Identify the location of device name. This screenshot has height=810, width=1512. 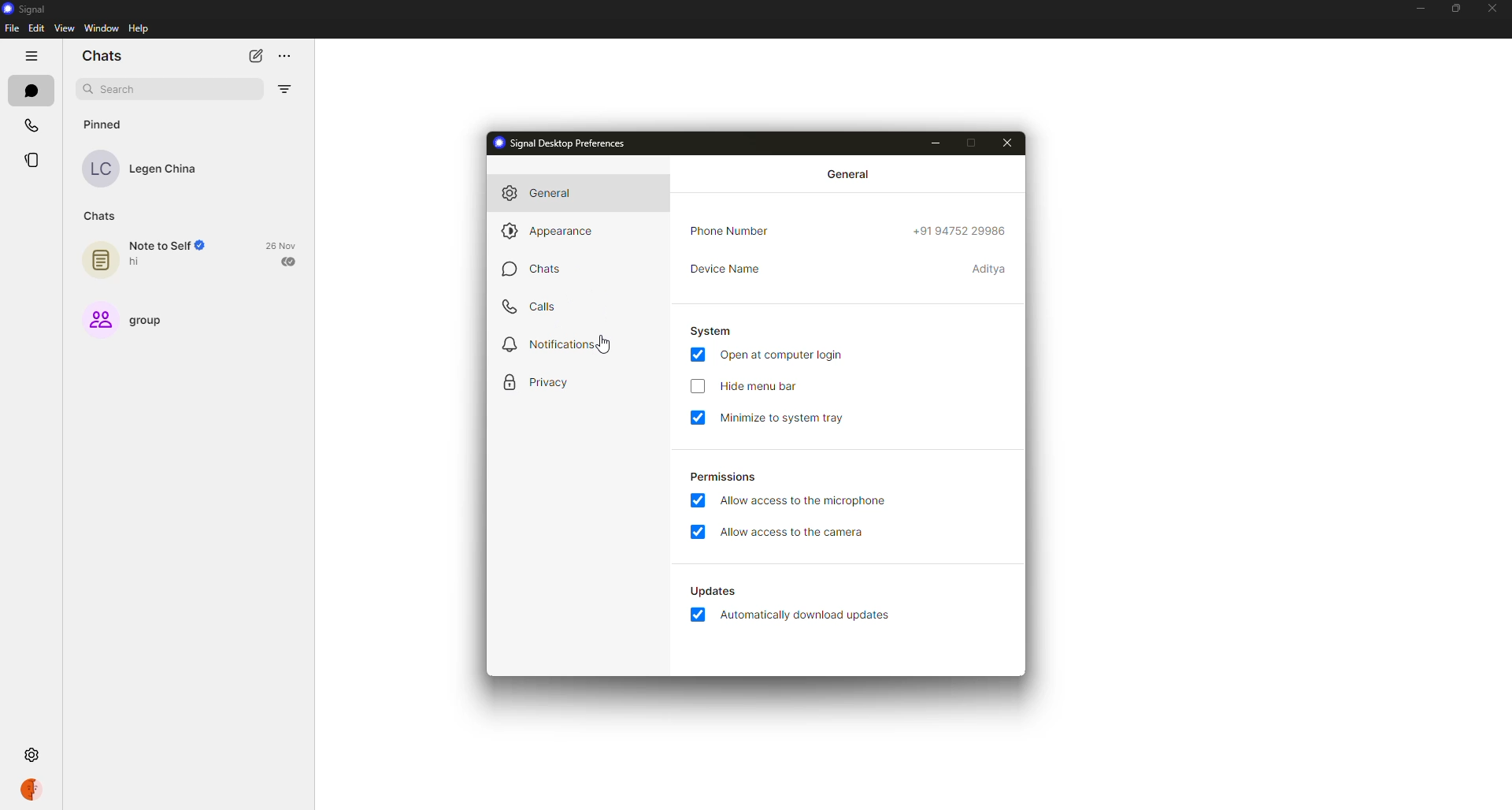
(990, 270).